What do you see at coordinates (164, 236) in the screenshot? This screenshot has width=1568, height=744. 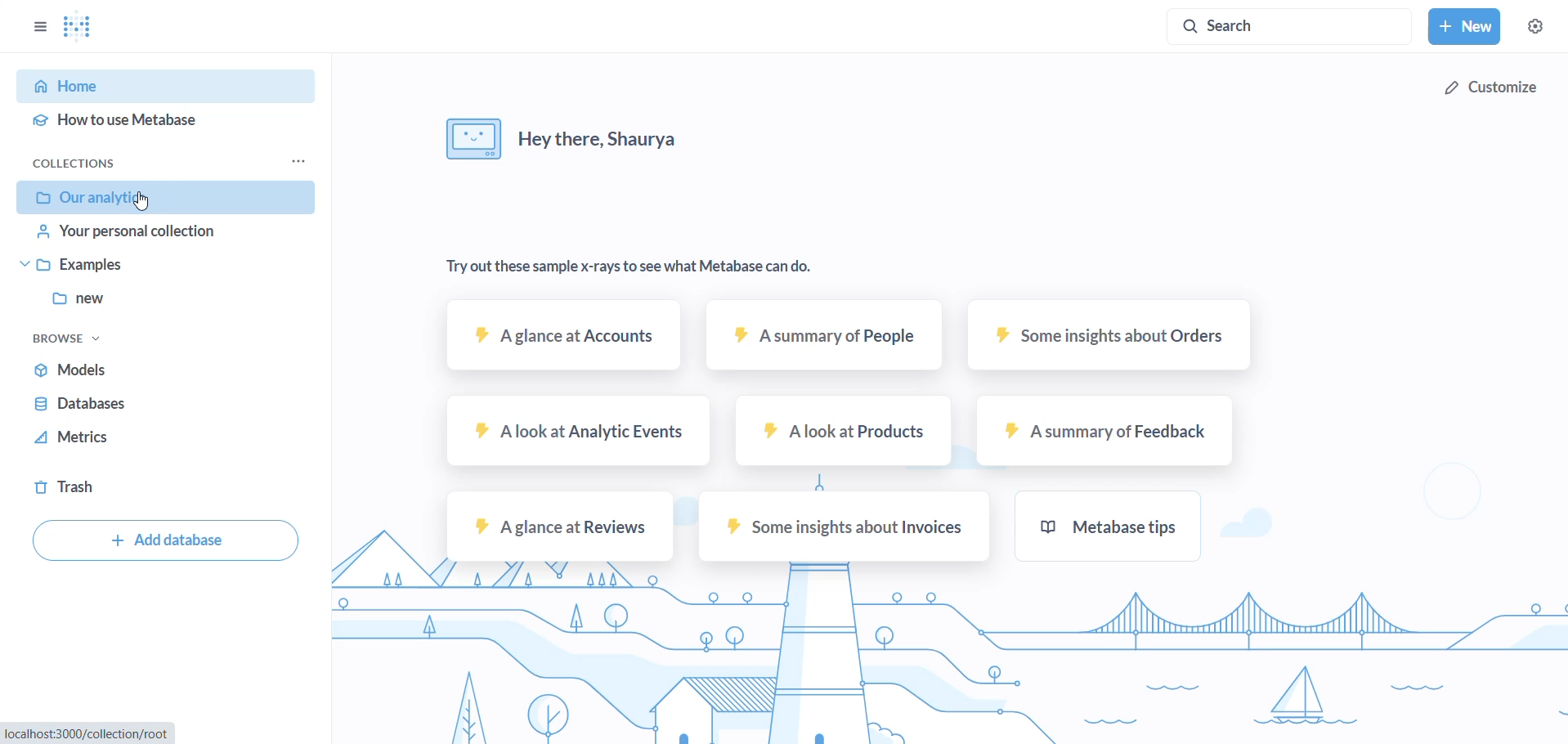 I see `your personal collection` at bounding box center [164, 236].